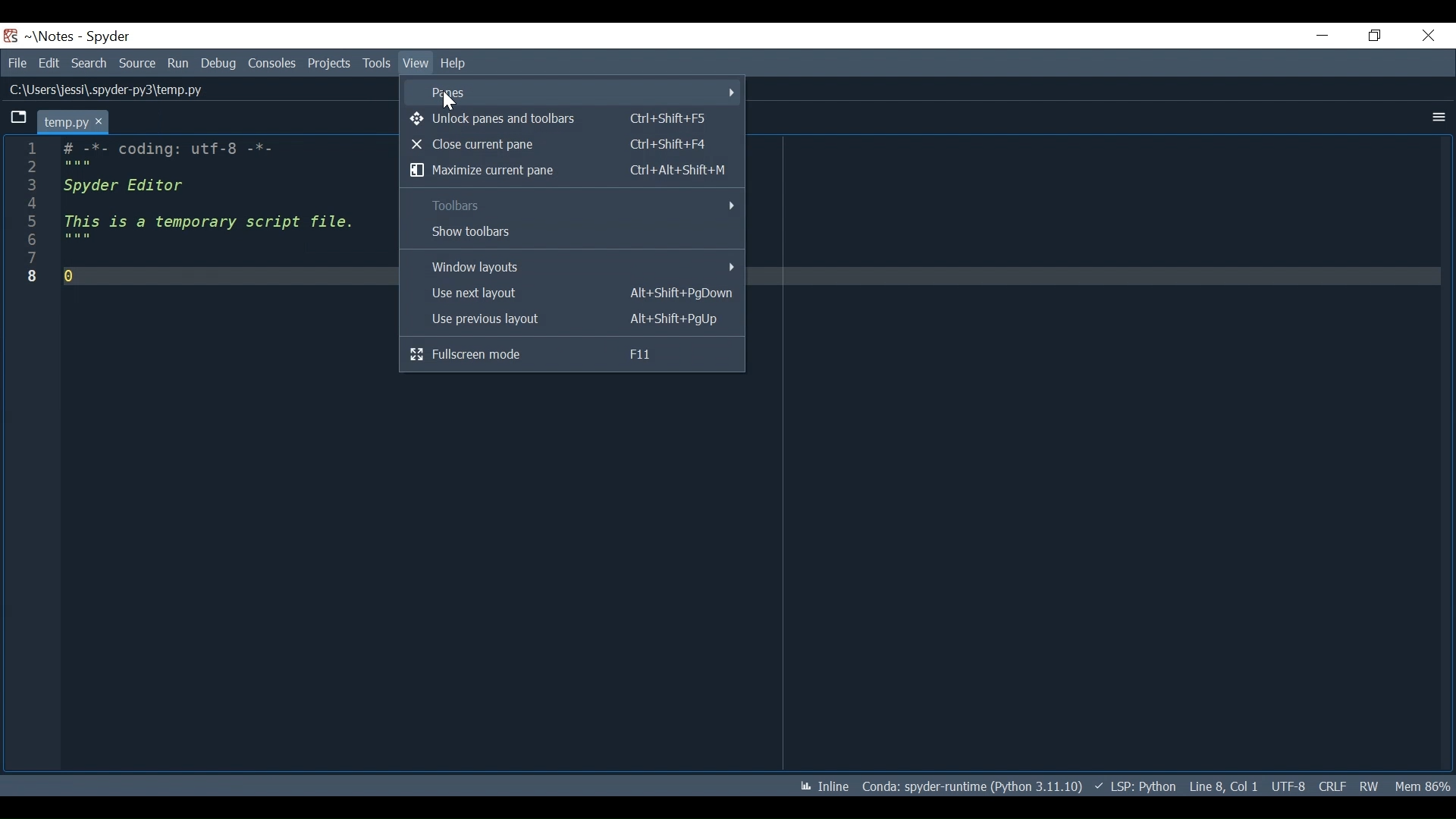 This screenshot has height=819, width=1456. What do you see at coordinates (108, 36) in the screenshot?
I see `Spyder` at bounding box center [108, 36].